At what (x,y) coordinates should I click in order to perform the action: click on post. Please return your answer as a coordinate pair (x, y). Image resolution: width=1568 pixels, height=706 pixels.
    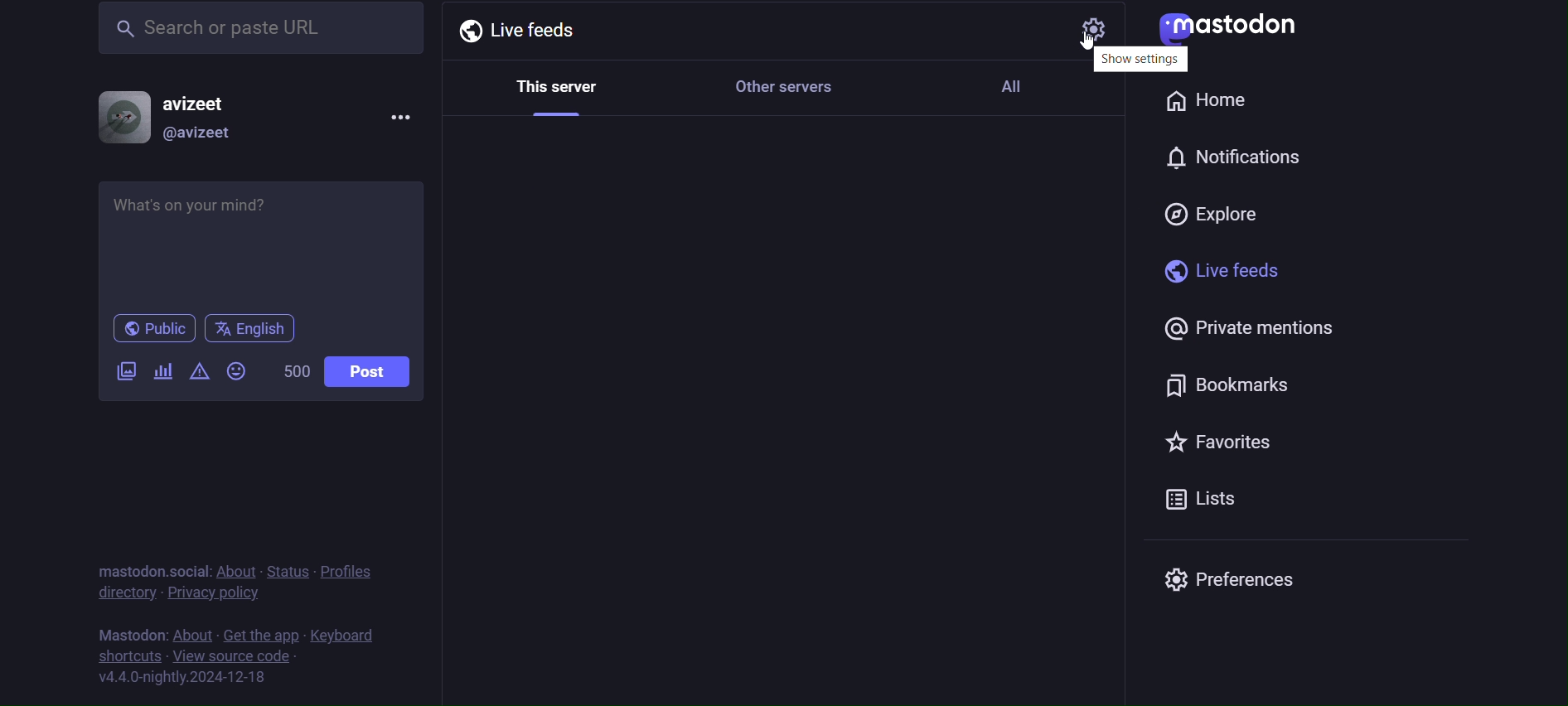
    Looking at the image, I should click on (375, 375).